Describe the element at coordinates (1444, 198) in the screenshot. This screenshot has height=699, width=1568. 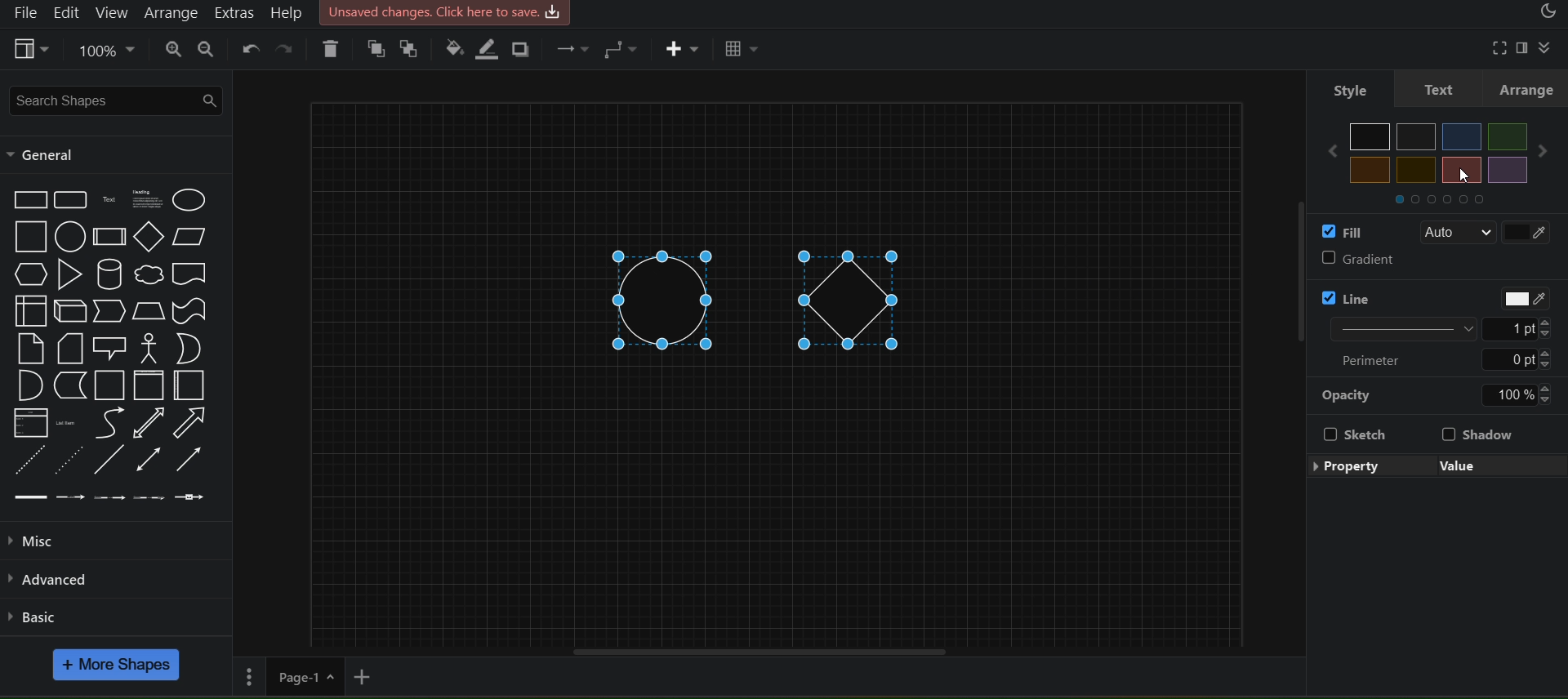
I see `` at that location.